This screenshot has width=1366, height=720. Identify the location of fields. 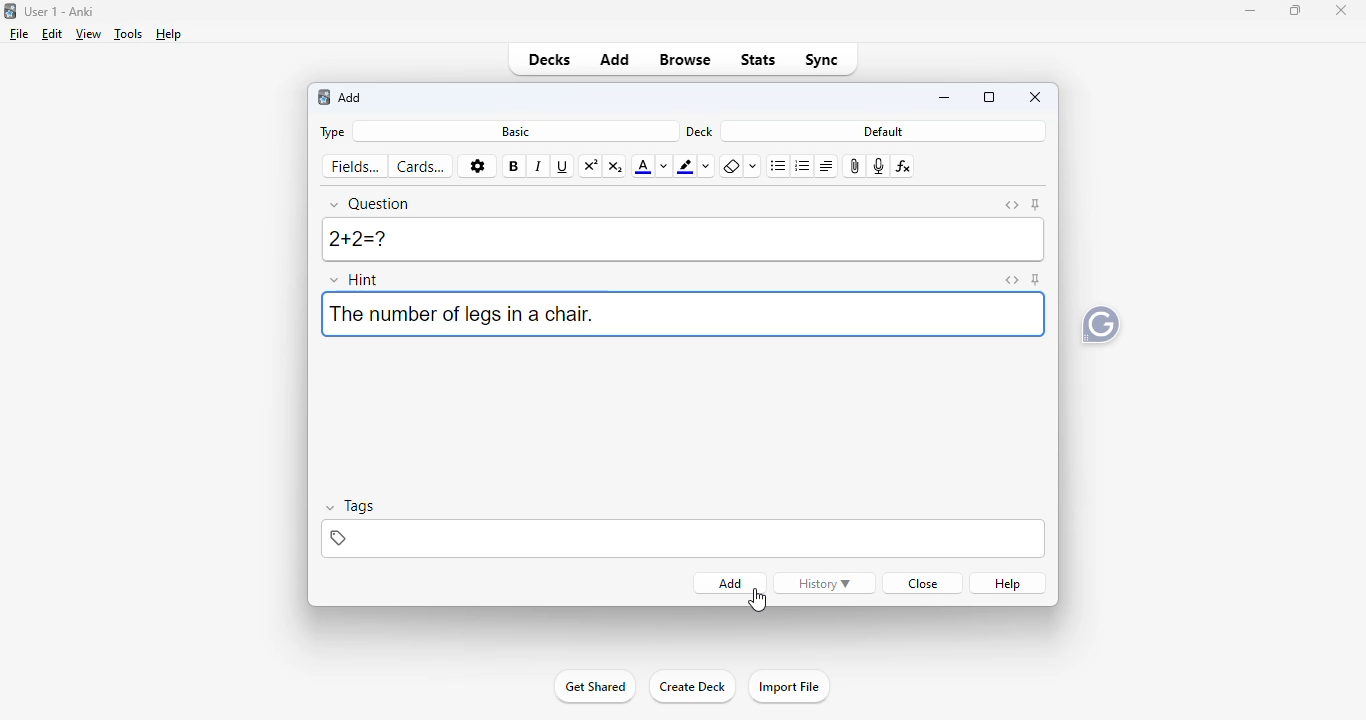
(355, 167).